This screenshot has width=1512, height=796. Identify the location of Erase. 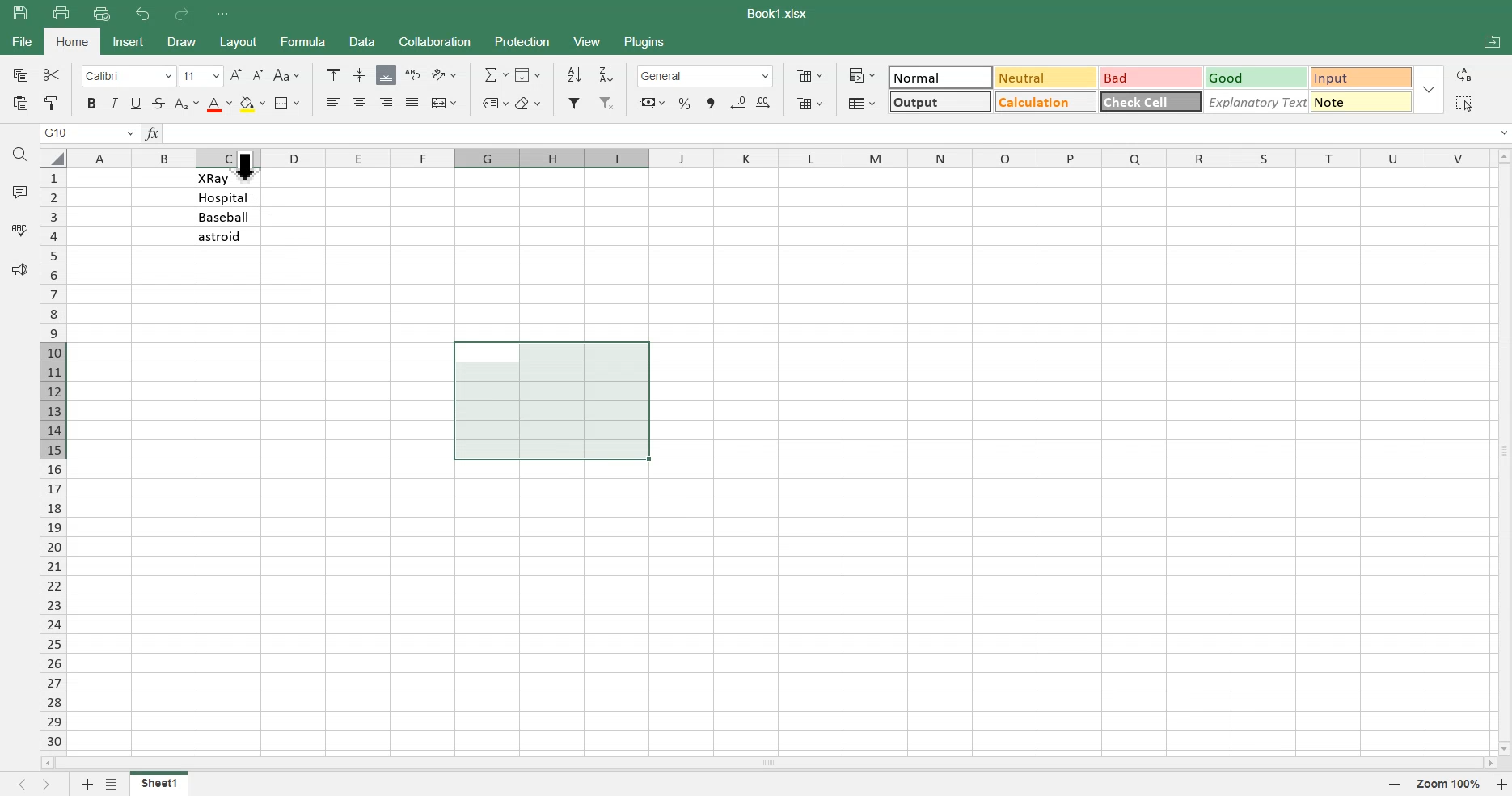
(528, 102).